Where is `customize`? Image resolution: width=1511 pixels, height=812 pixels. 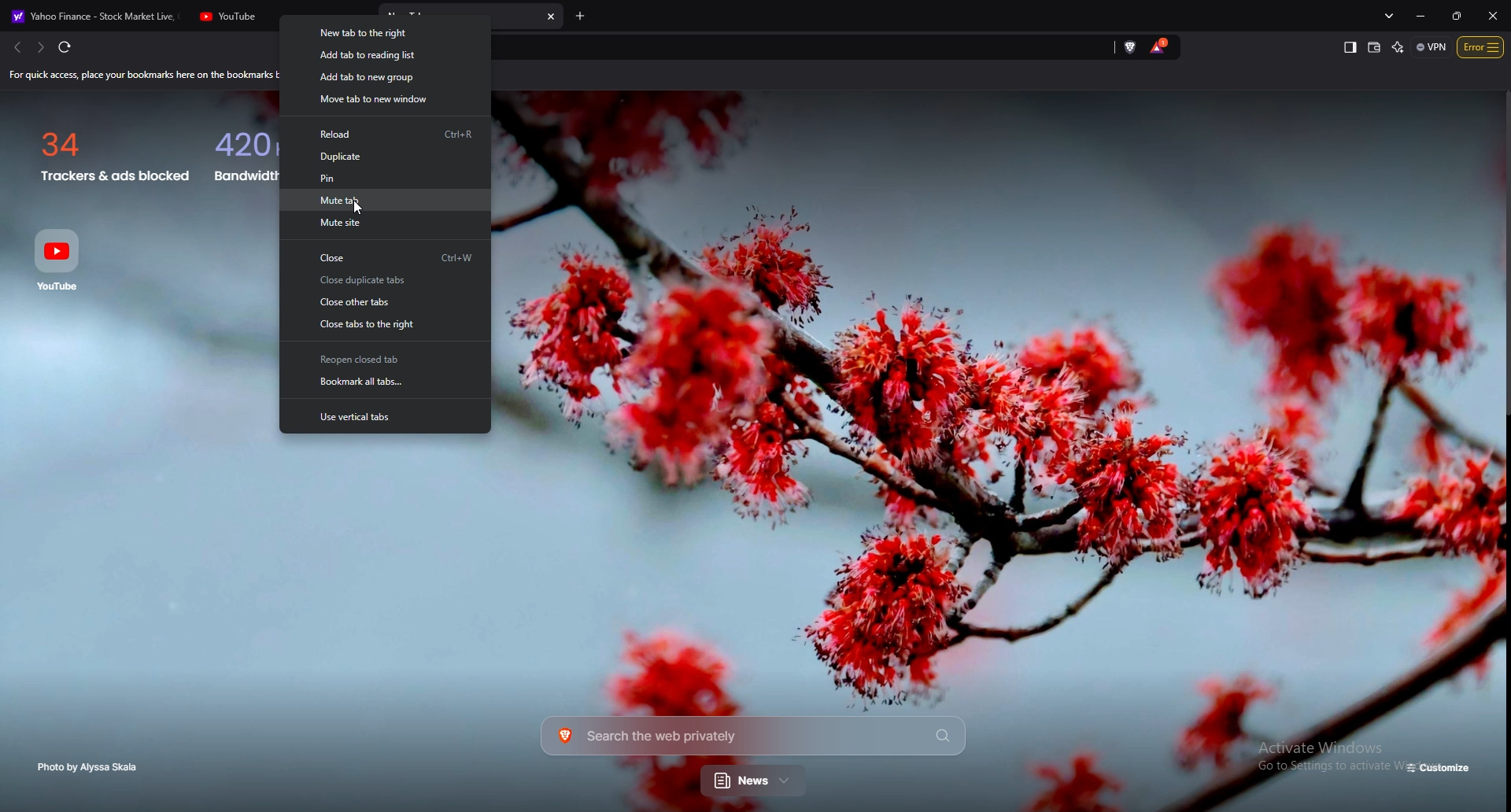 customize is located at coordinates (1440, 769).